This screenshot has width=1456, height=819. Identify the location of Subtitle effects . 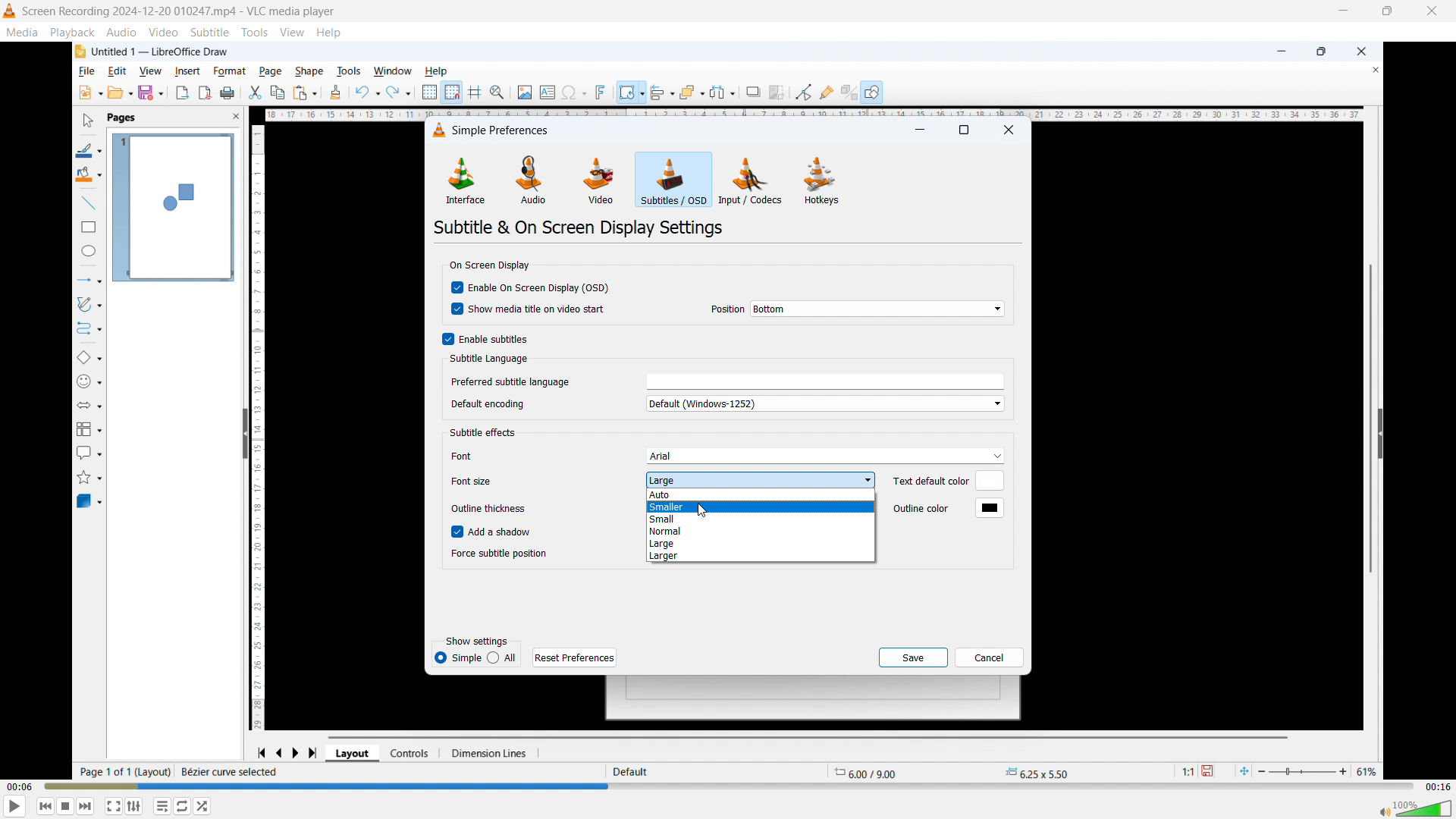
(484, 432).